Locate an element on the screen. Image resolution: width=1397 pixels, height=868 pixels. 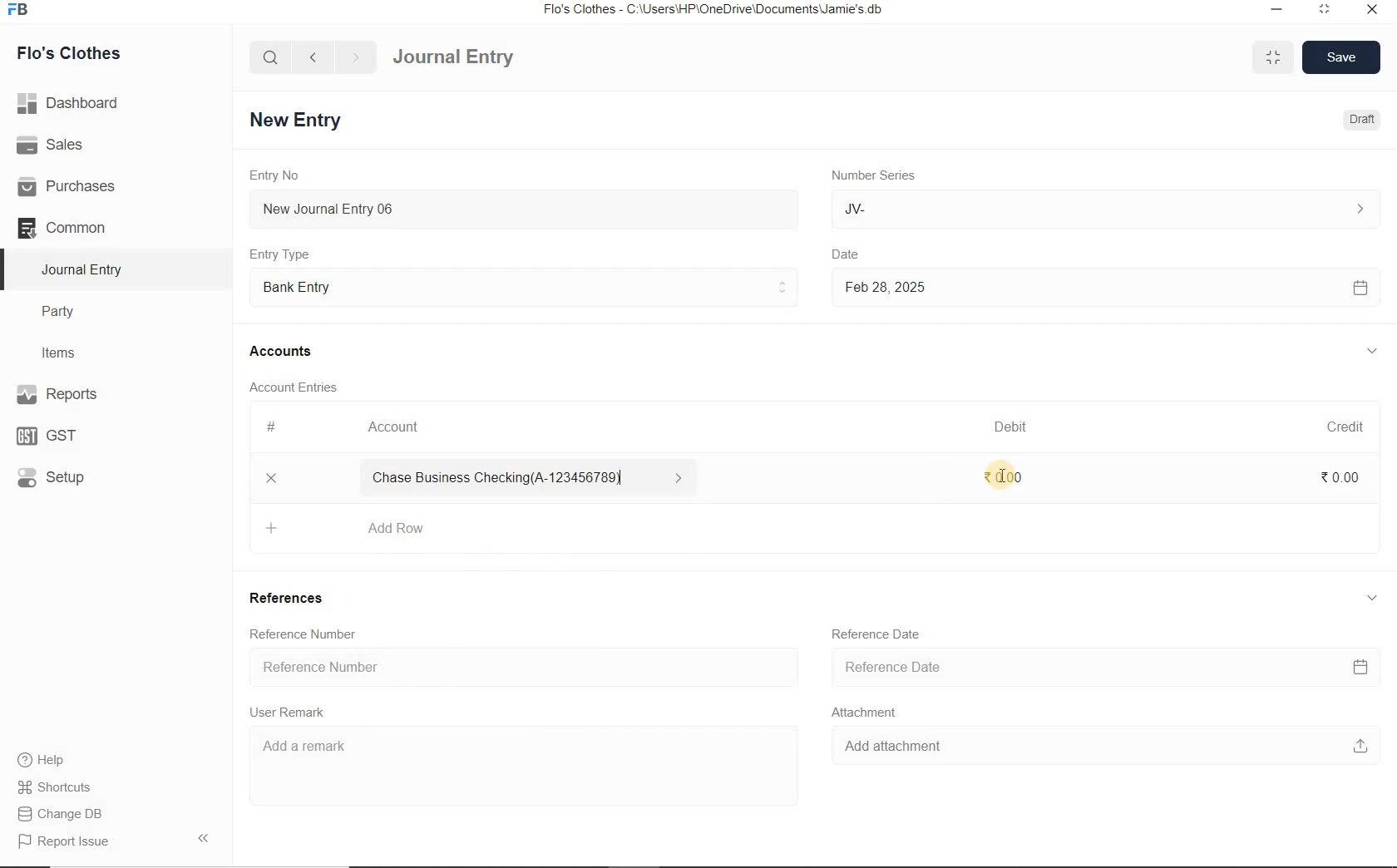
Setup is located at coordinates (67, 476).